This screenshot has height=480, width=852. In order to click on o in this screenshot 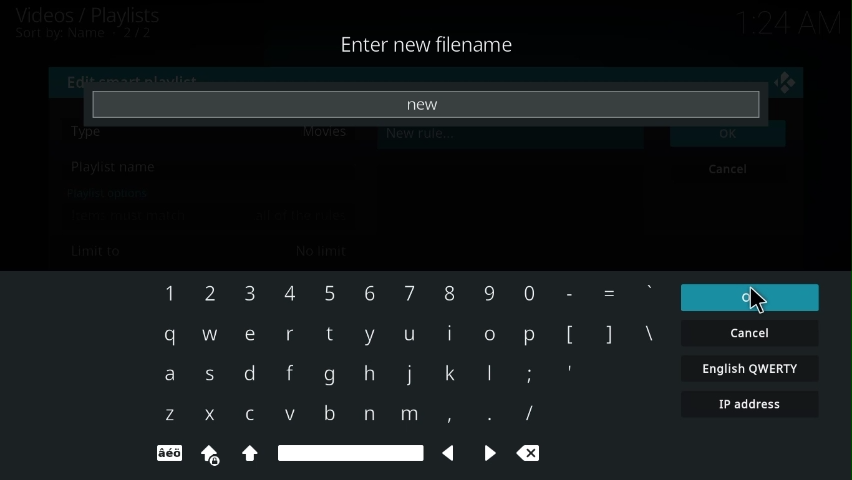, I will do `click(491, 335)`.